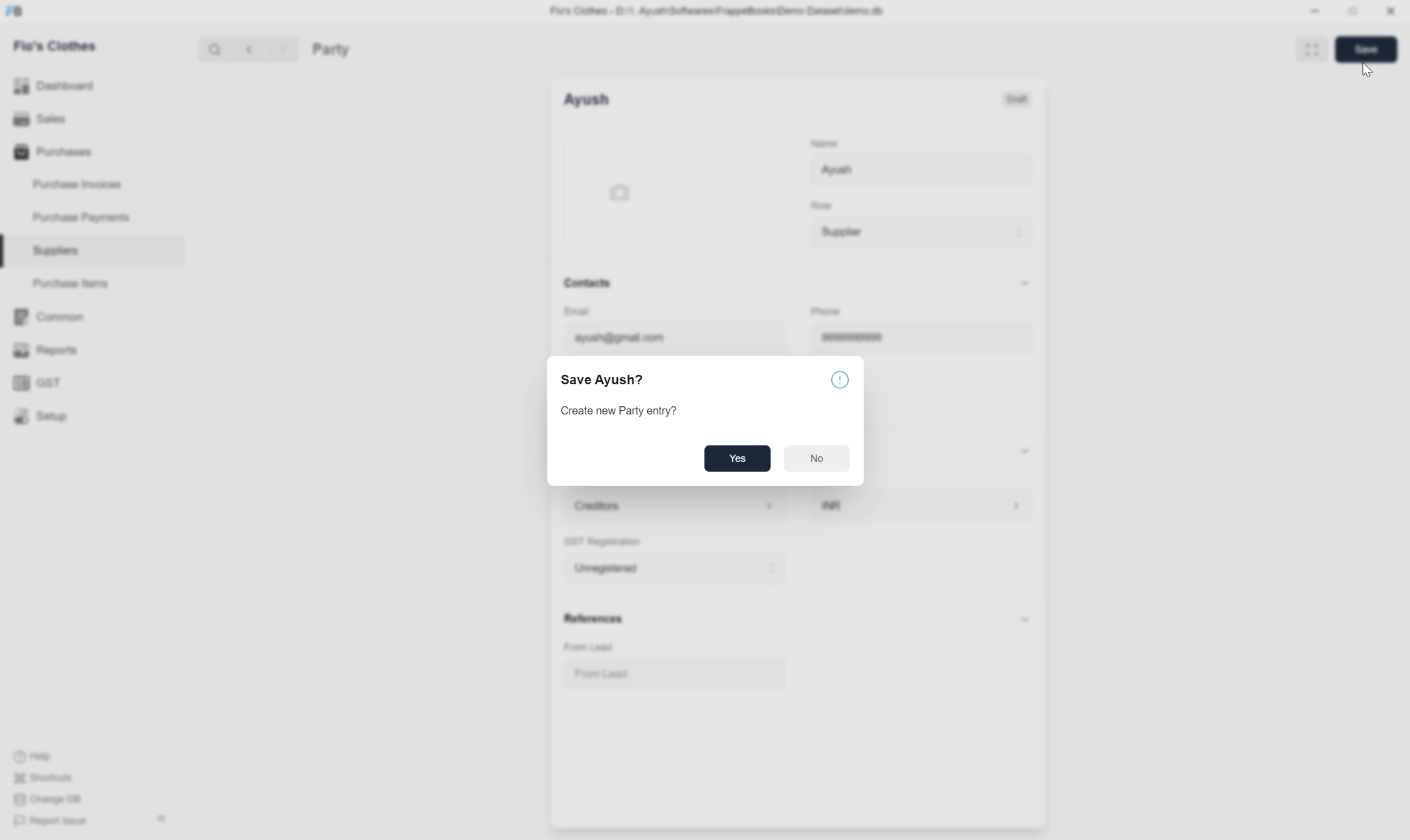  What do you see at coordinates (840, 380) in the screenshot?
I see `More information` at bounding box center [840, 380].